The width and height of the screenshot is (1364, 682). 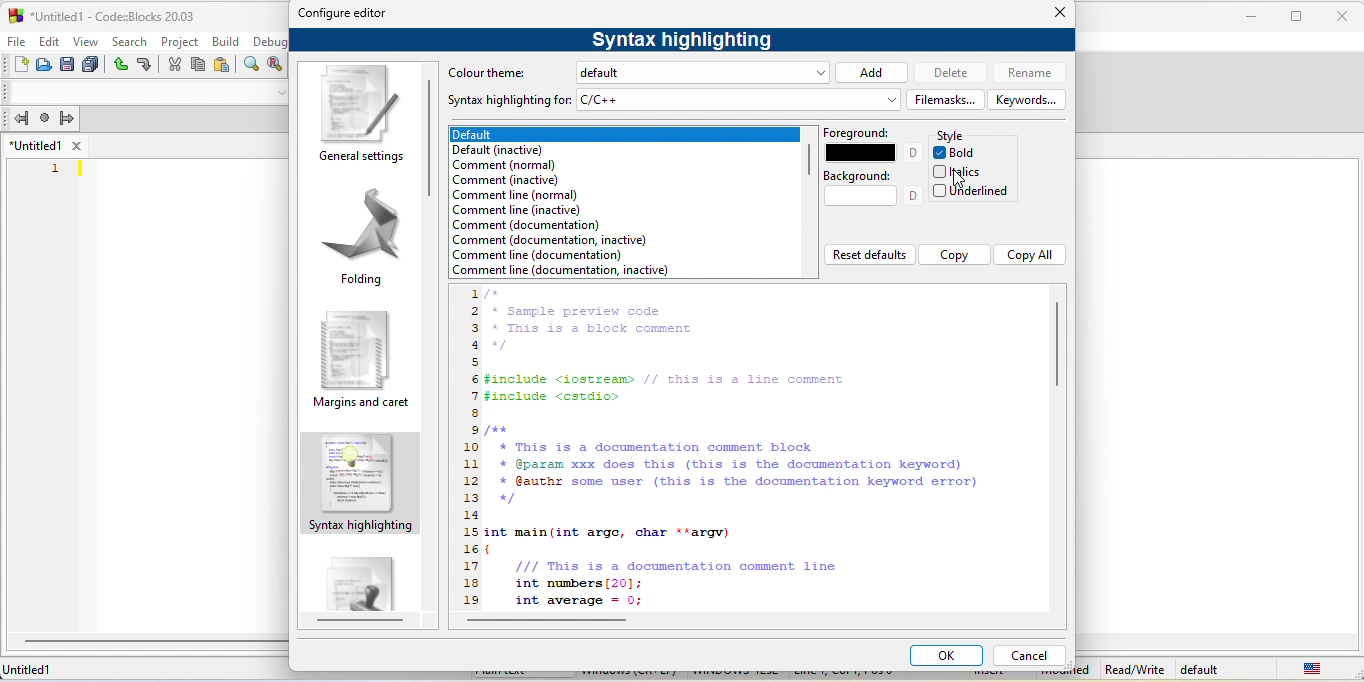 What do you see at coordinates (130, 41) in the screenshot?
I see `search` at bounding box center [130, 41].